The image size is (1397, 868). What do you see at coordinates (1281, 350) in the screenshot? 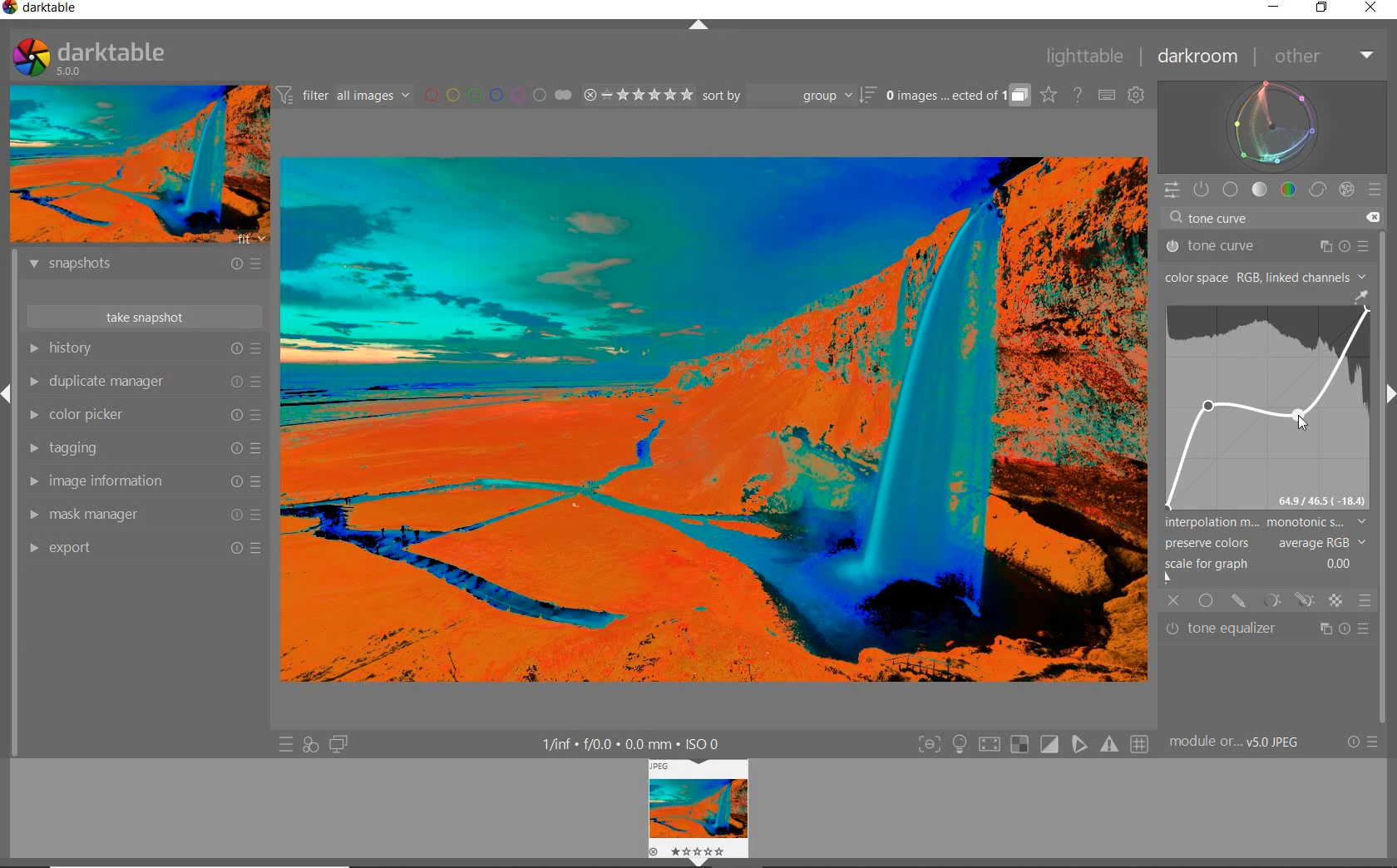
I see `CURSOR` at bounding box center [1281, 350].